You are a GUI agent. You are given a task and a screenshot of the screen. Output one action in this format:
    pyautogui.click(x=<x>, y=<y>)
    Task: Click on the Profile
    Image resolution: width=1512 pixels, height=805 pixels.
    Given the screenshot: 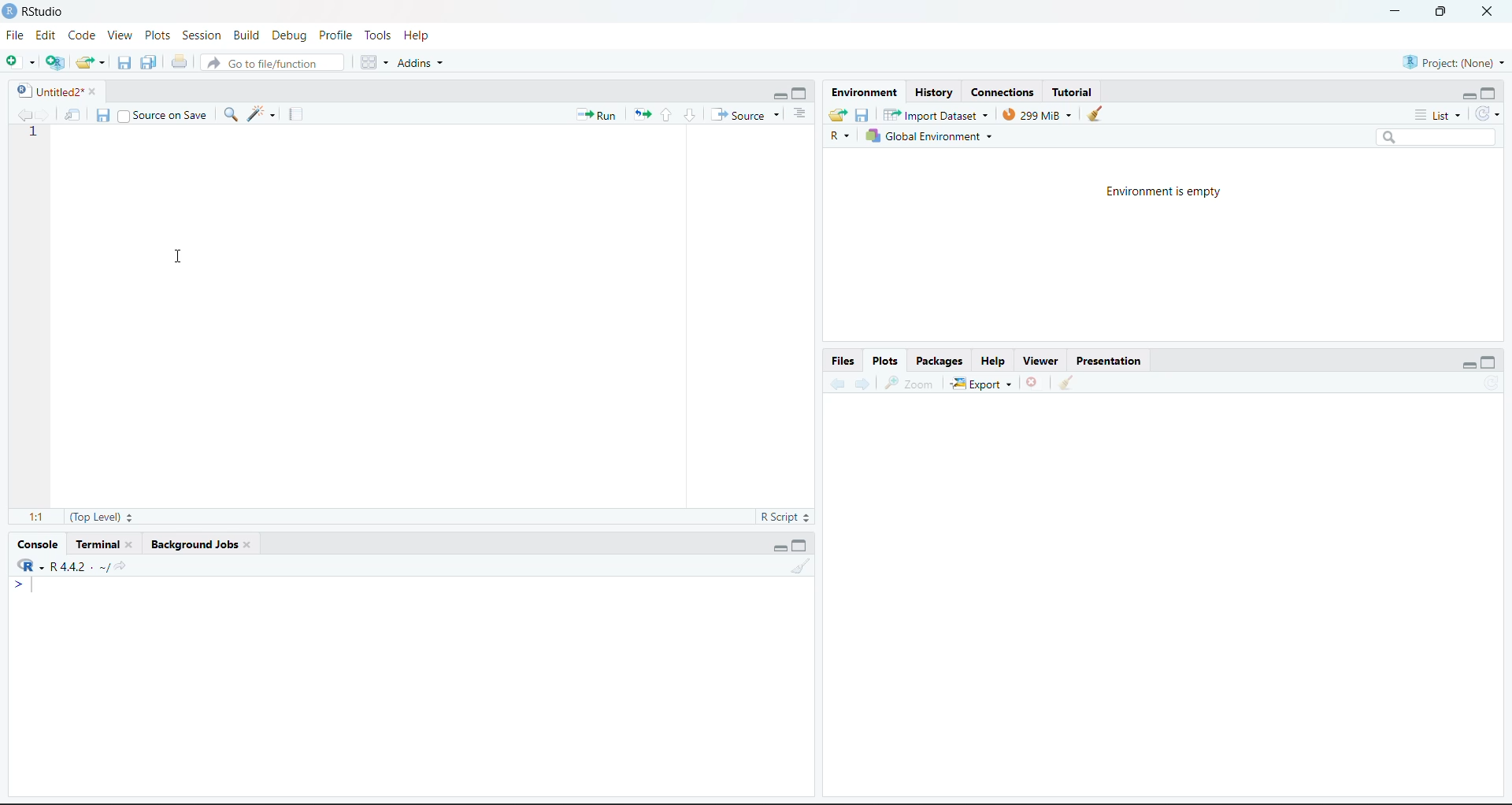 What is the action you would take?
    pyautogui.click(x=339, y=35)
    